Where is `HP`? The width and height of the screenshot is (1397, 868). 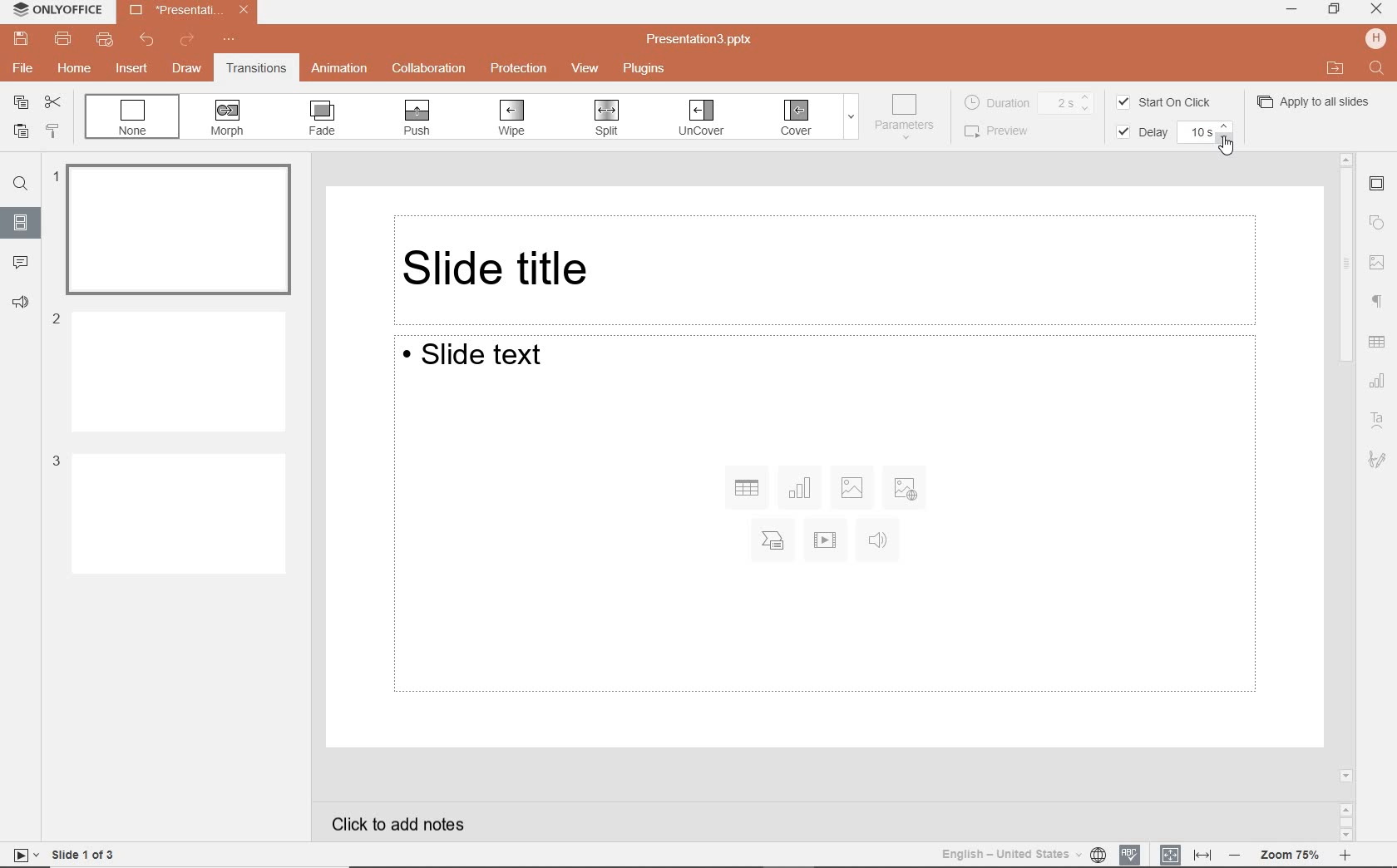
HP is located at coordinates (1374, 39).